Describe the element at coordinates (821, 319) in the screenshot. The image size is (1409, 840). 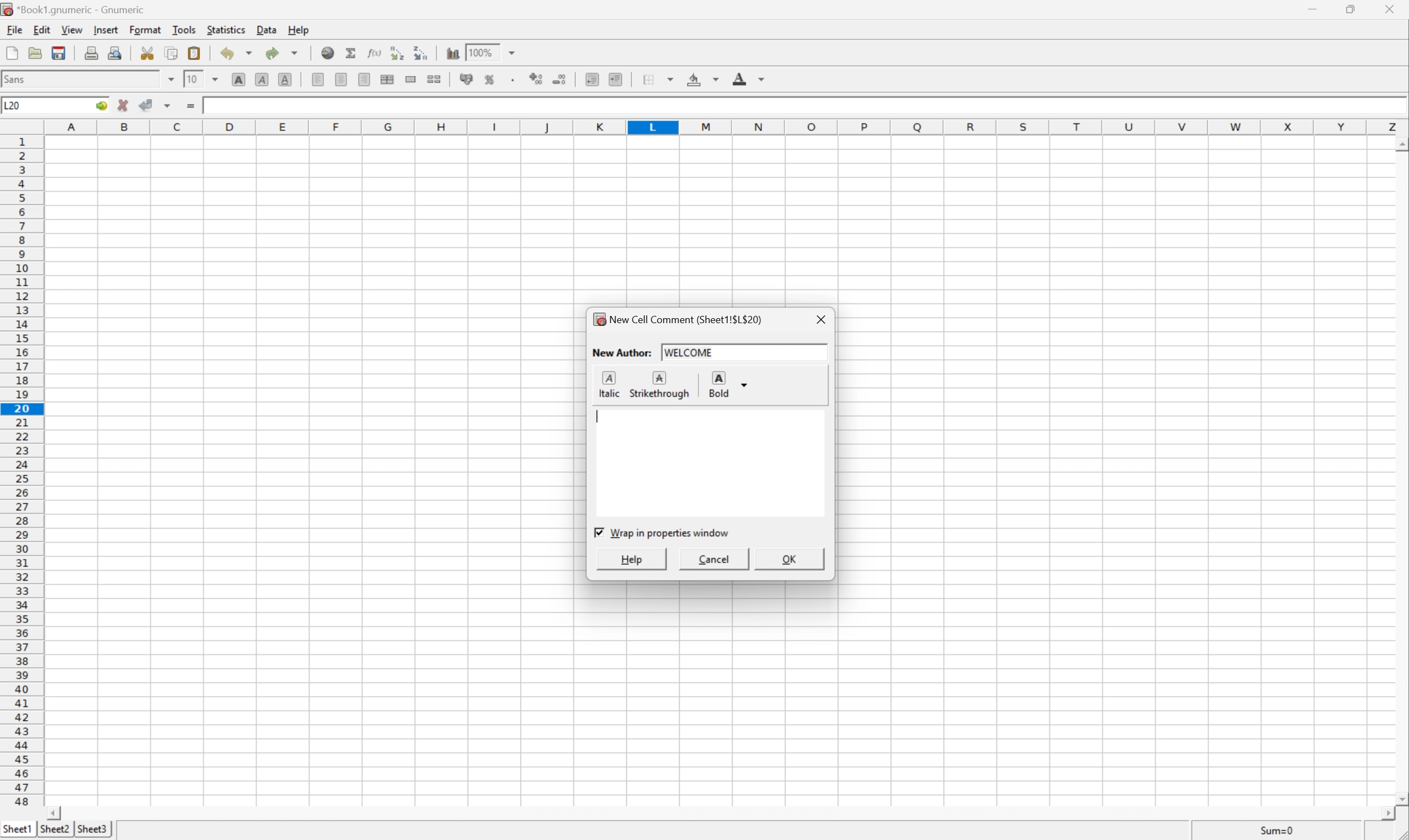
I see `Close` at that location.